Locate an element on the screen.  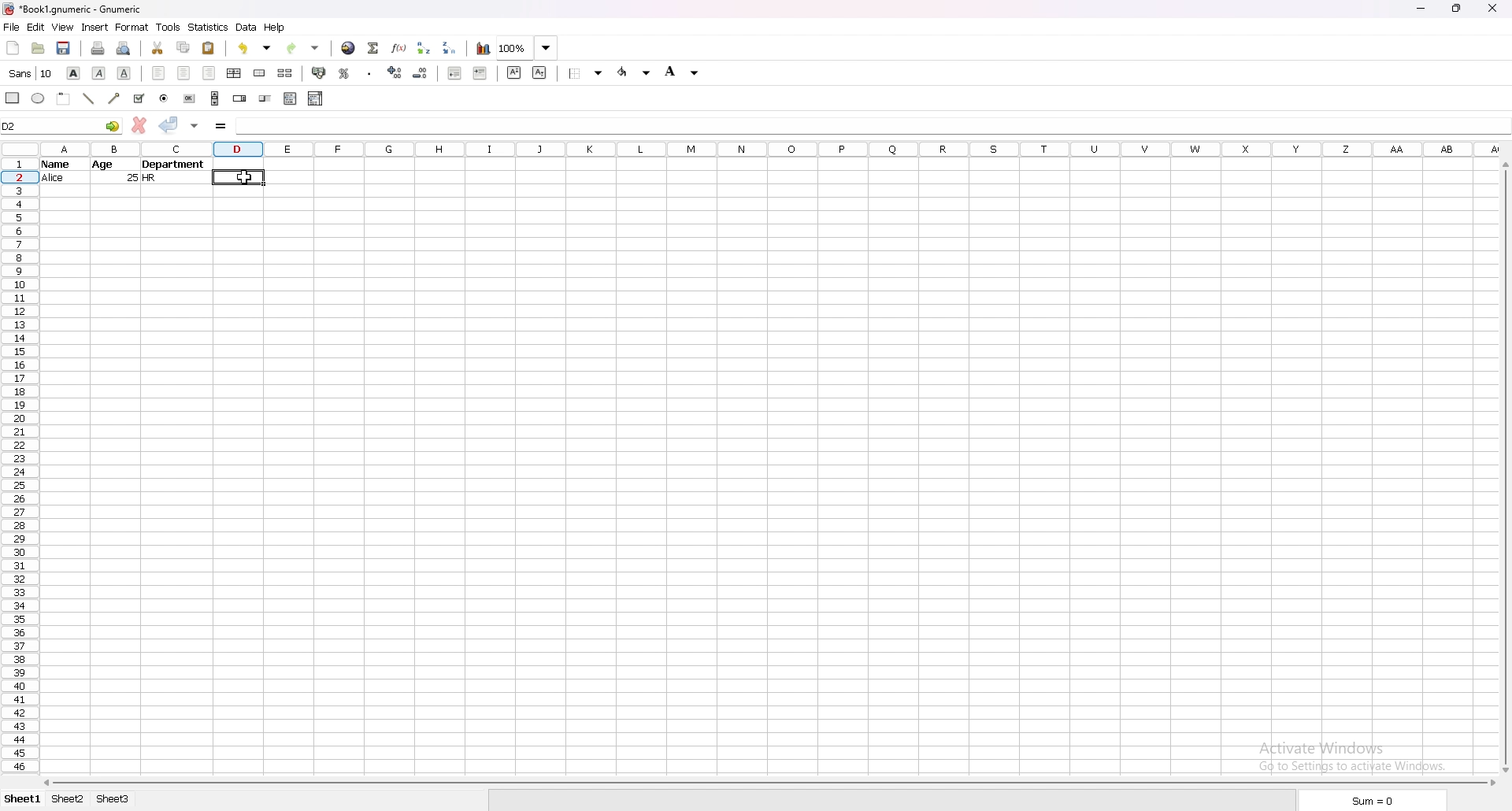
tools is located at coordinates (169, 27).